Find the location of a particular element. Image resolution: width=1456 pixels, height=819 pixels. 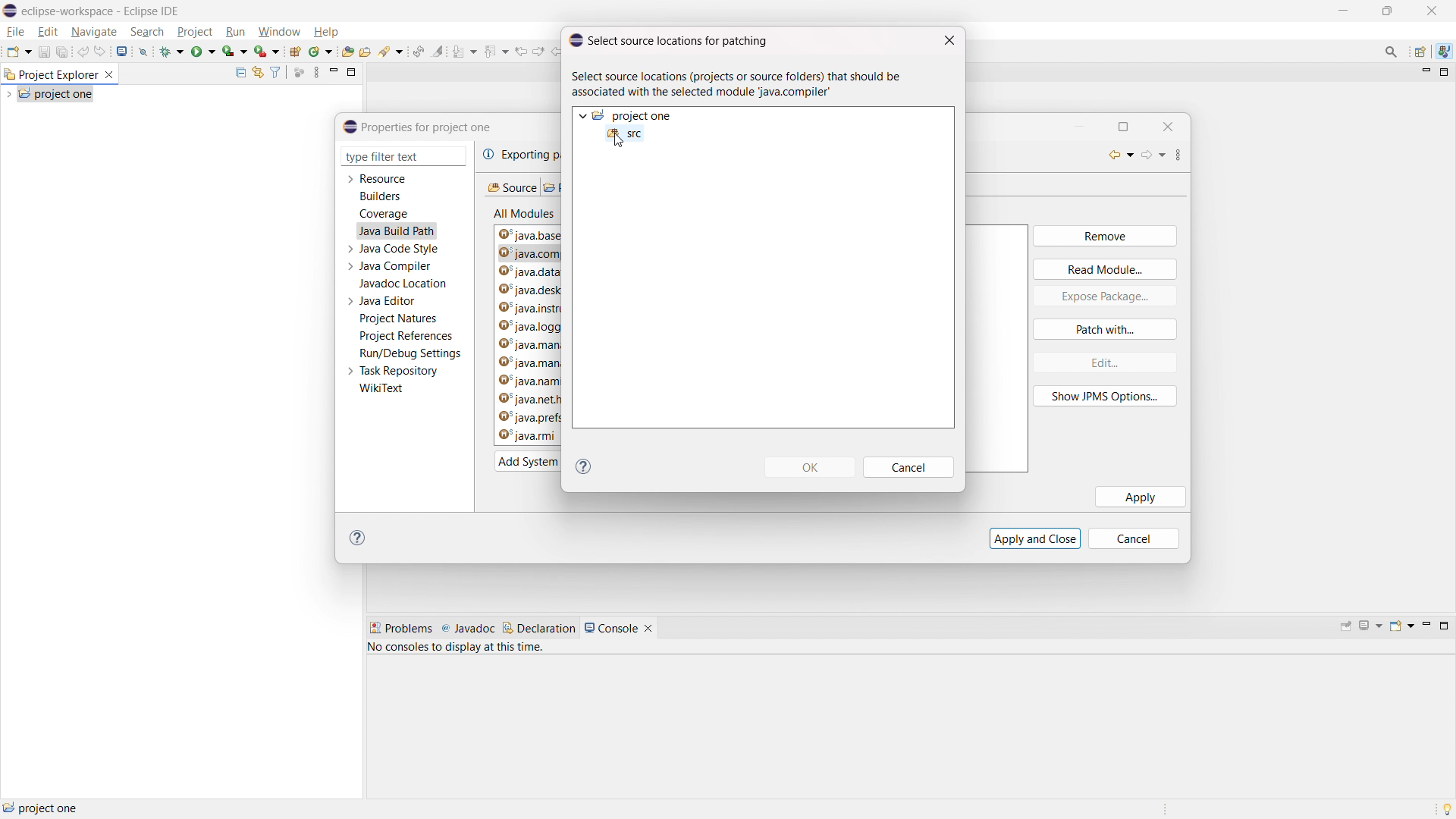

expand resource is located at coordinates (350, 180).